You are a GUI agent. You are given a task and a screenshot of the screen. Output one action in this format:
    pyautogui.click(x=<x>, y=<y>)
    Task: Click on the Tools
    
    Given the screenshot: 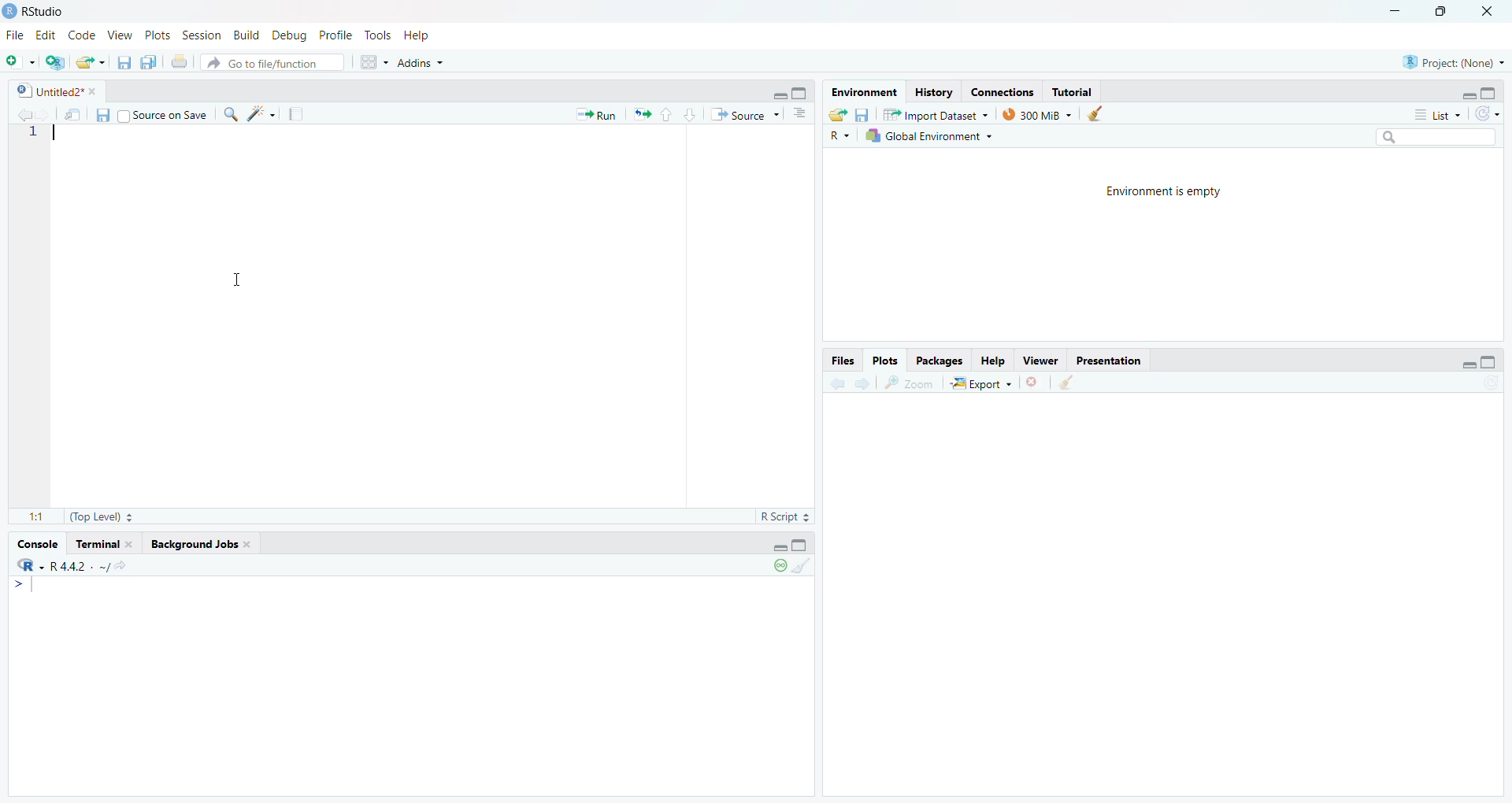 What is the action you would take?
    pyautogui.click(x=377, y=36)
    